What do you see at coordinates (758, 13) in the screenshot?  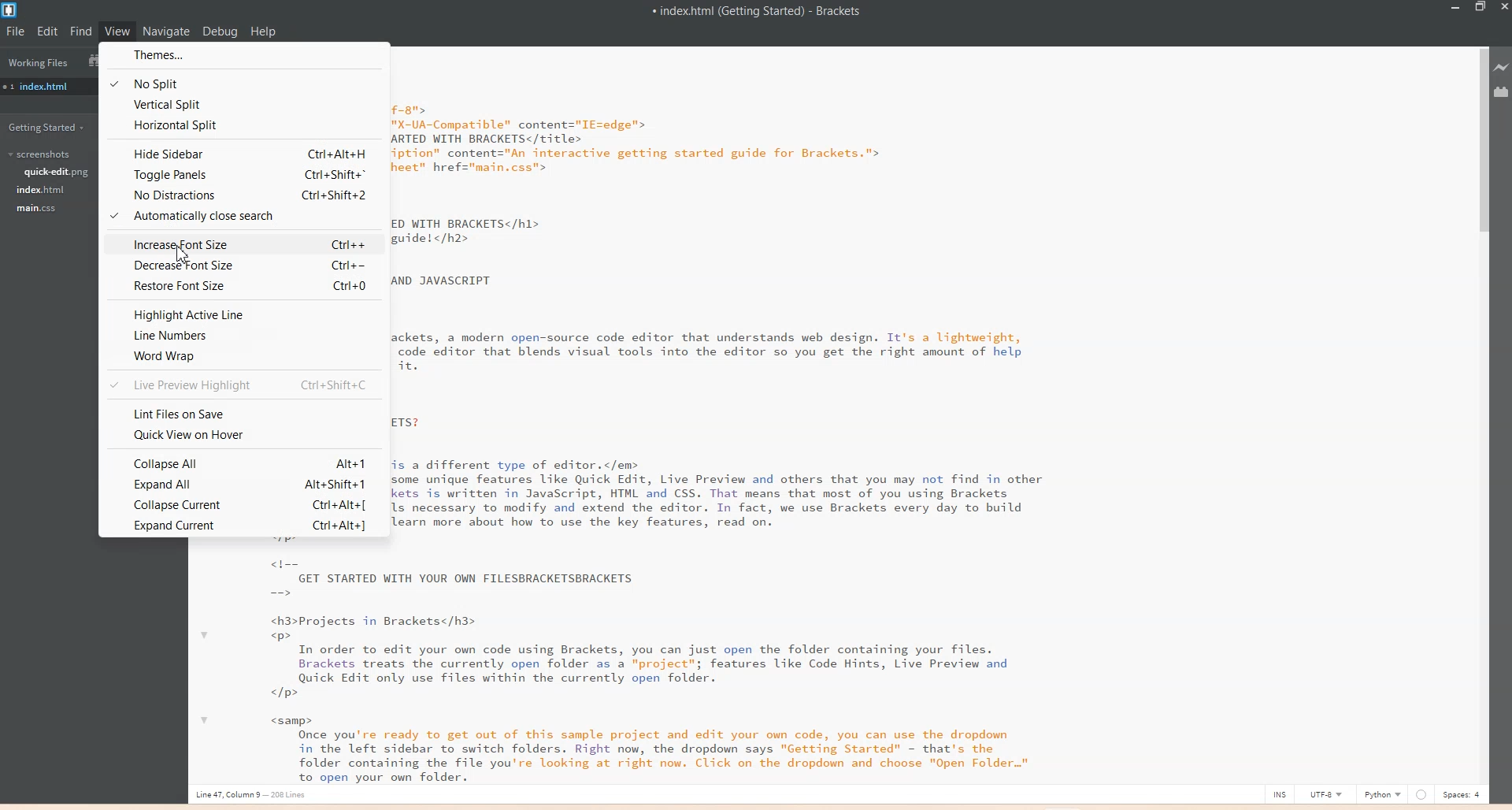 I see `Text` at bounding box center [758, 13].